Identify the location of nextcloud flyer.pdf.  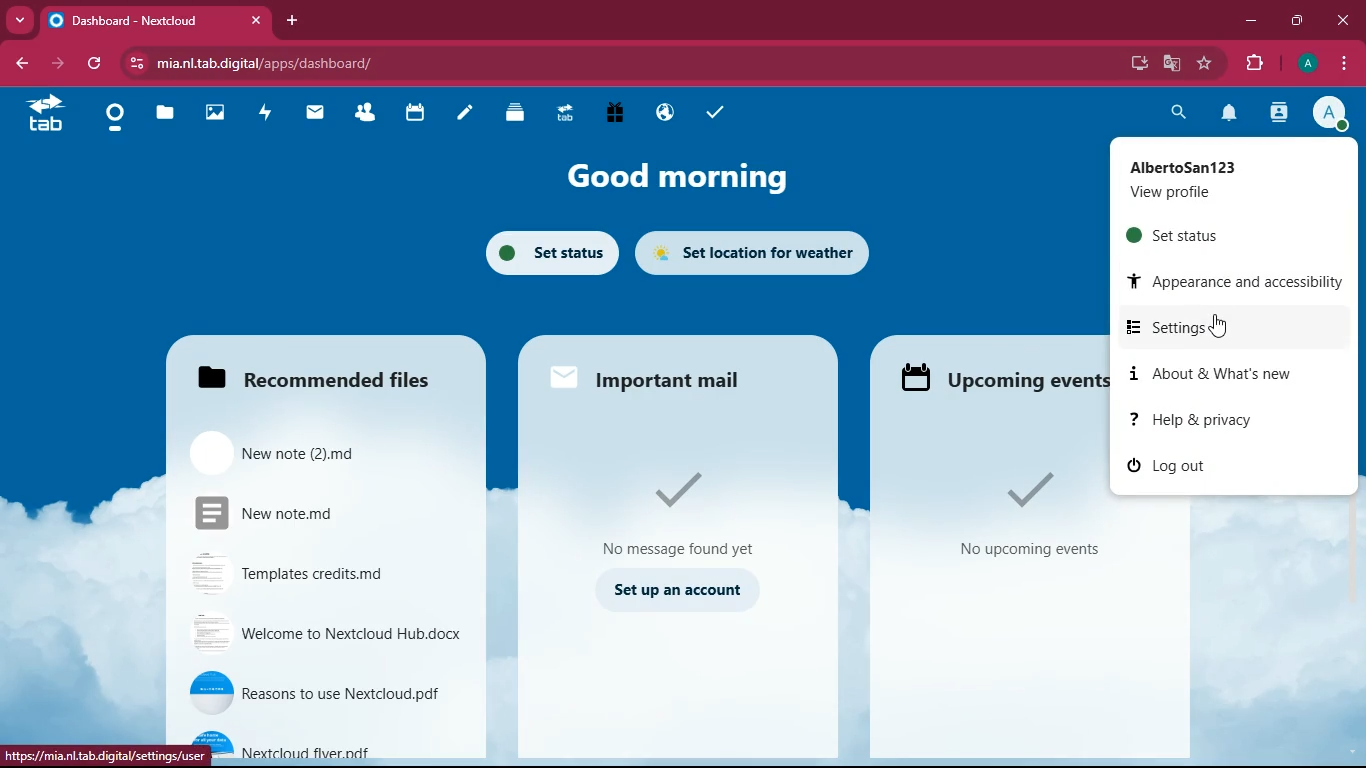
(336, 743).